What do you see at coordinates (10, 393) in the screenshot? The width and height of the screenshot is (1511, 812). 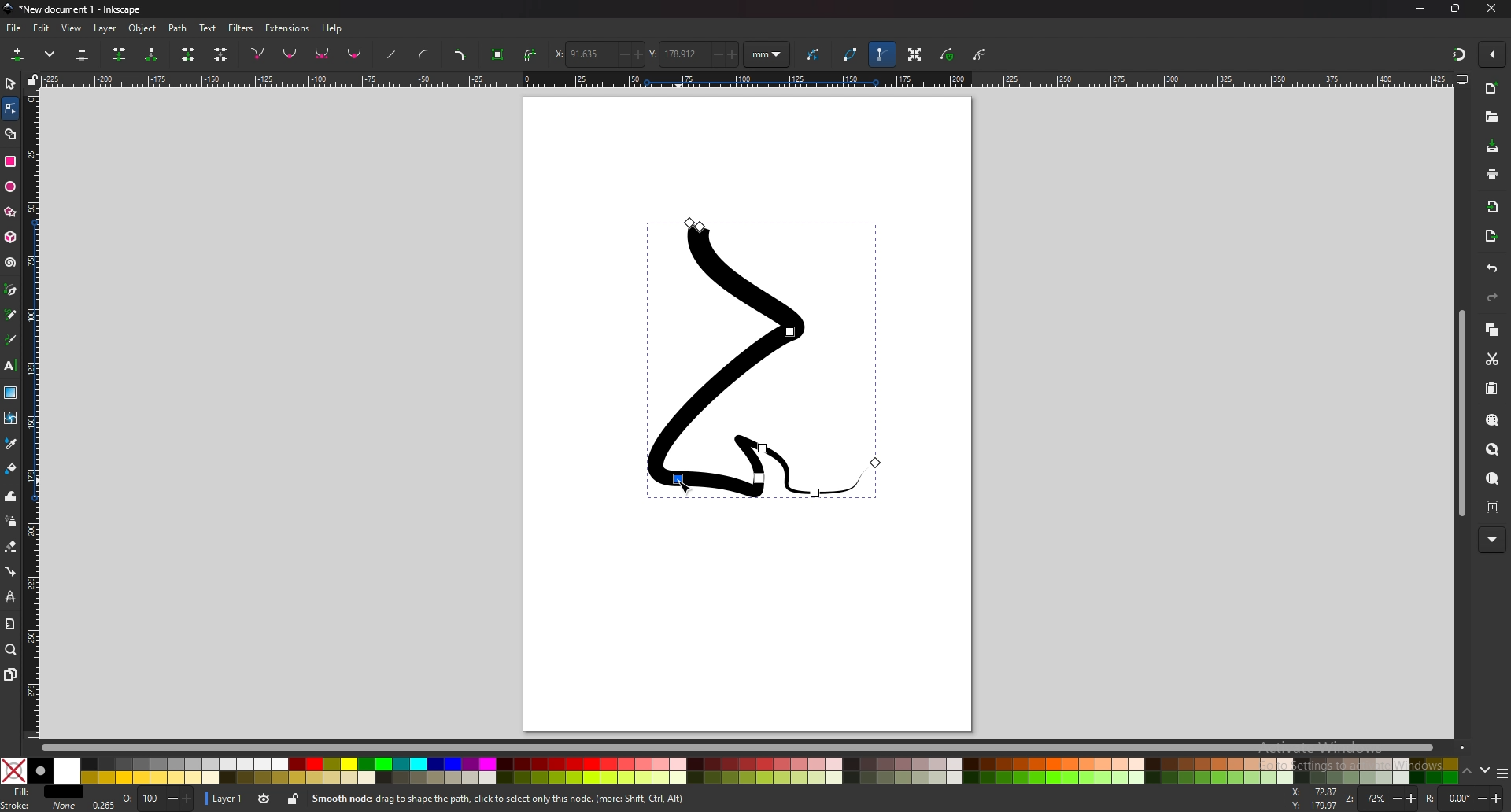 I see `gradient` at bounding box center [10, 393].